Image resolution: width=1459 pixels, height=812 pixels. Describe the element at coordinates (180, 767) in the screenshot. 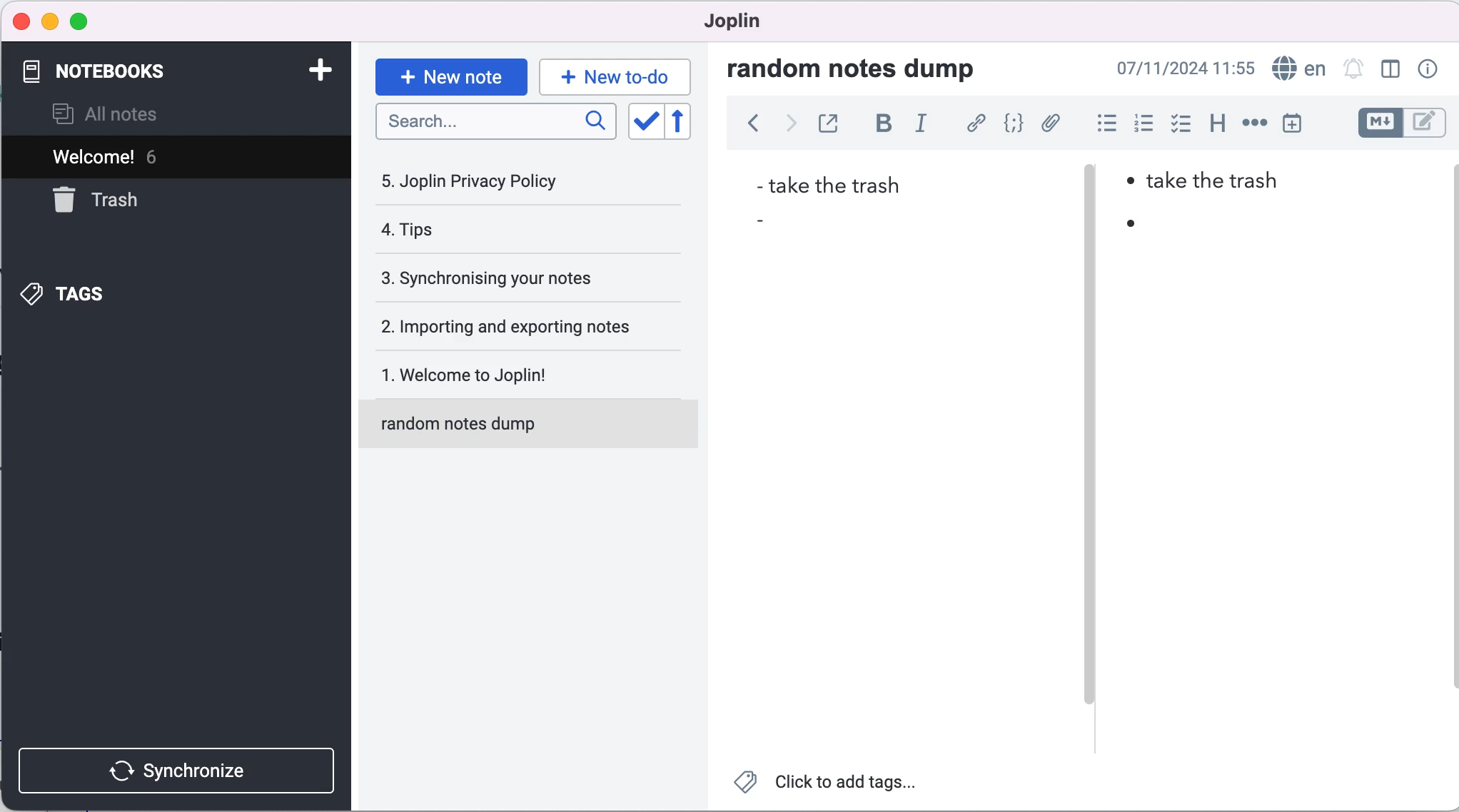

I see `synchronize` at that location.